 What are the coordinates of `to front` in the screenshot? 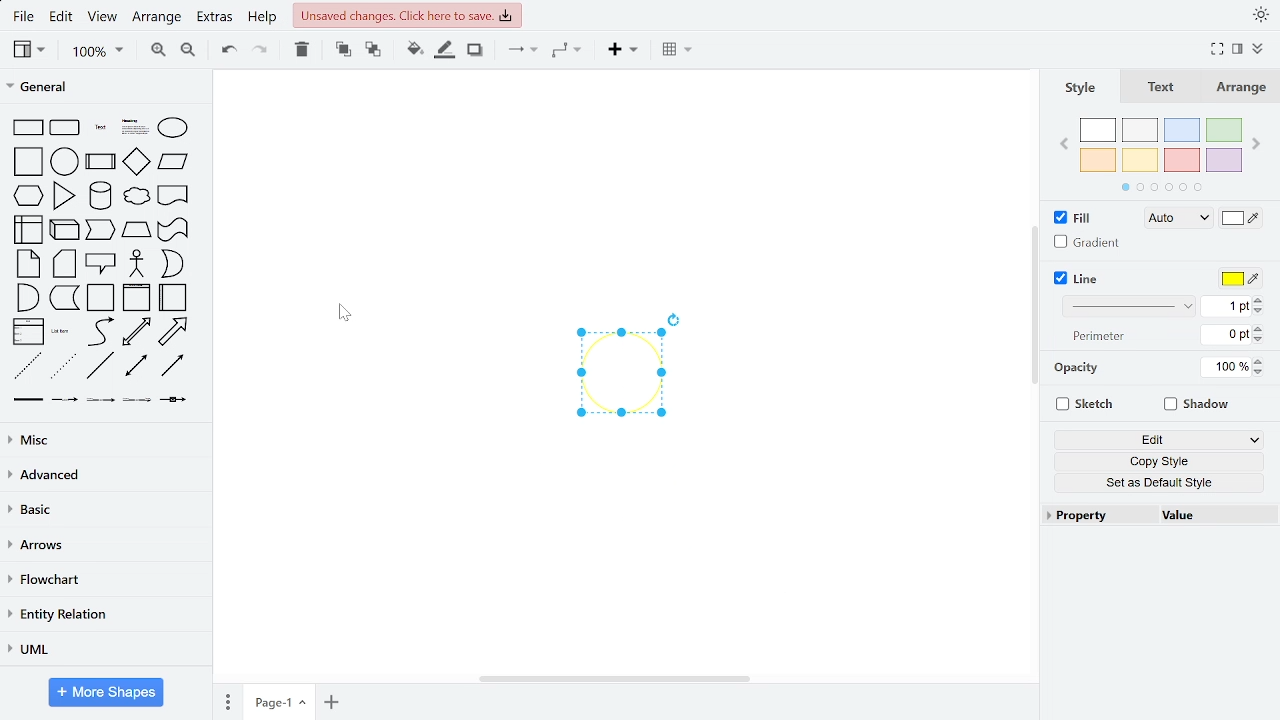 It's located at (342, 50).